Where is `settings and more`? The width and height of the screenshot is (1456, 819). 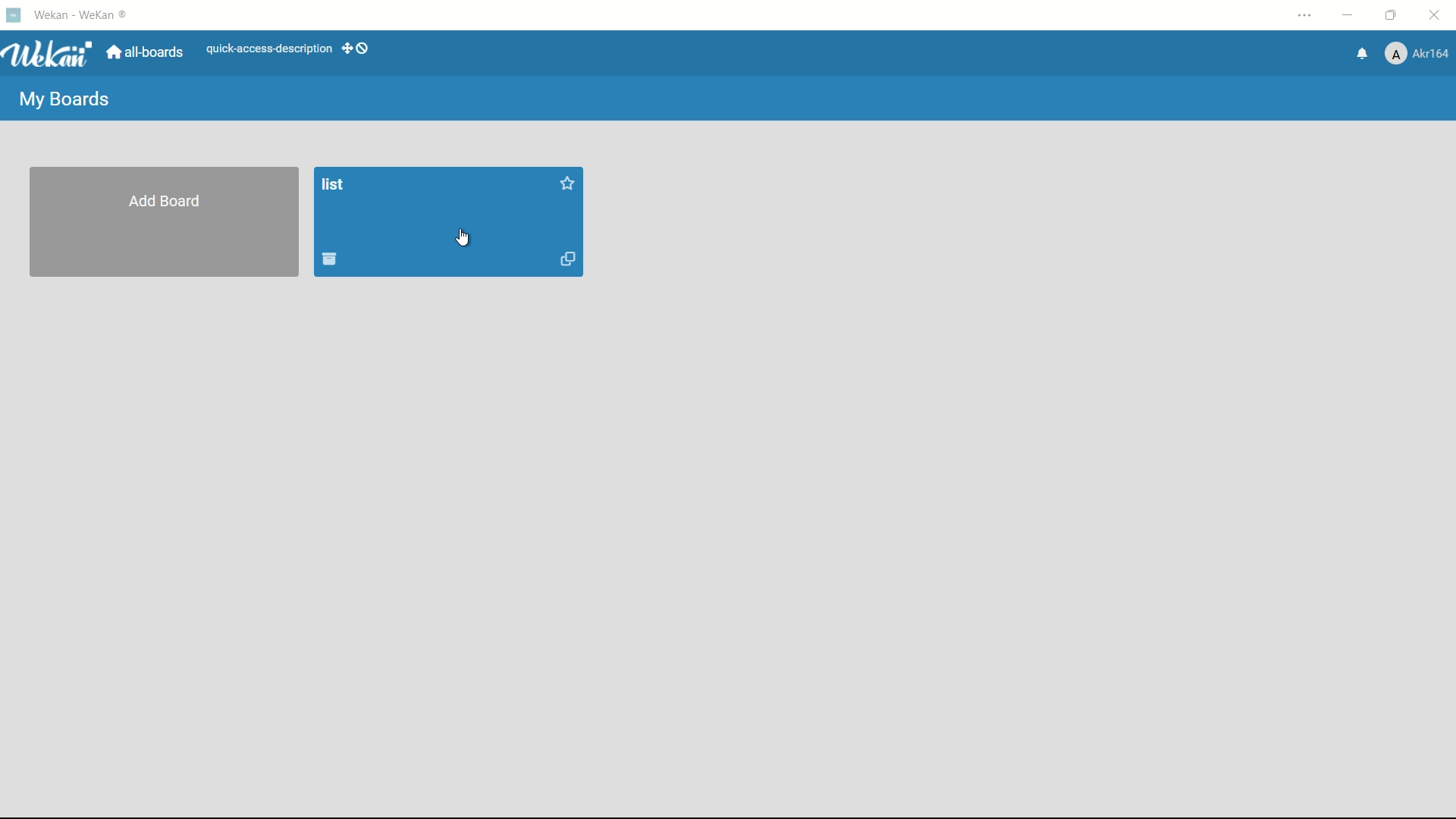 settings and more is located at coordinates (1308, 15).